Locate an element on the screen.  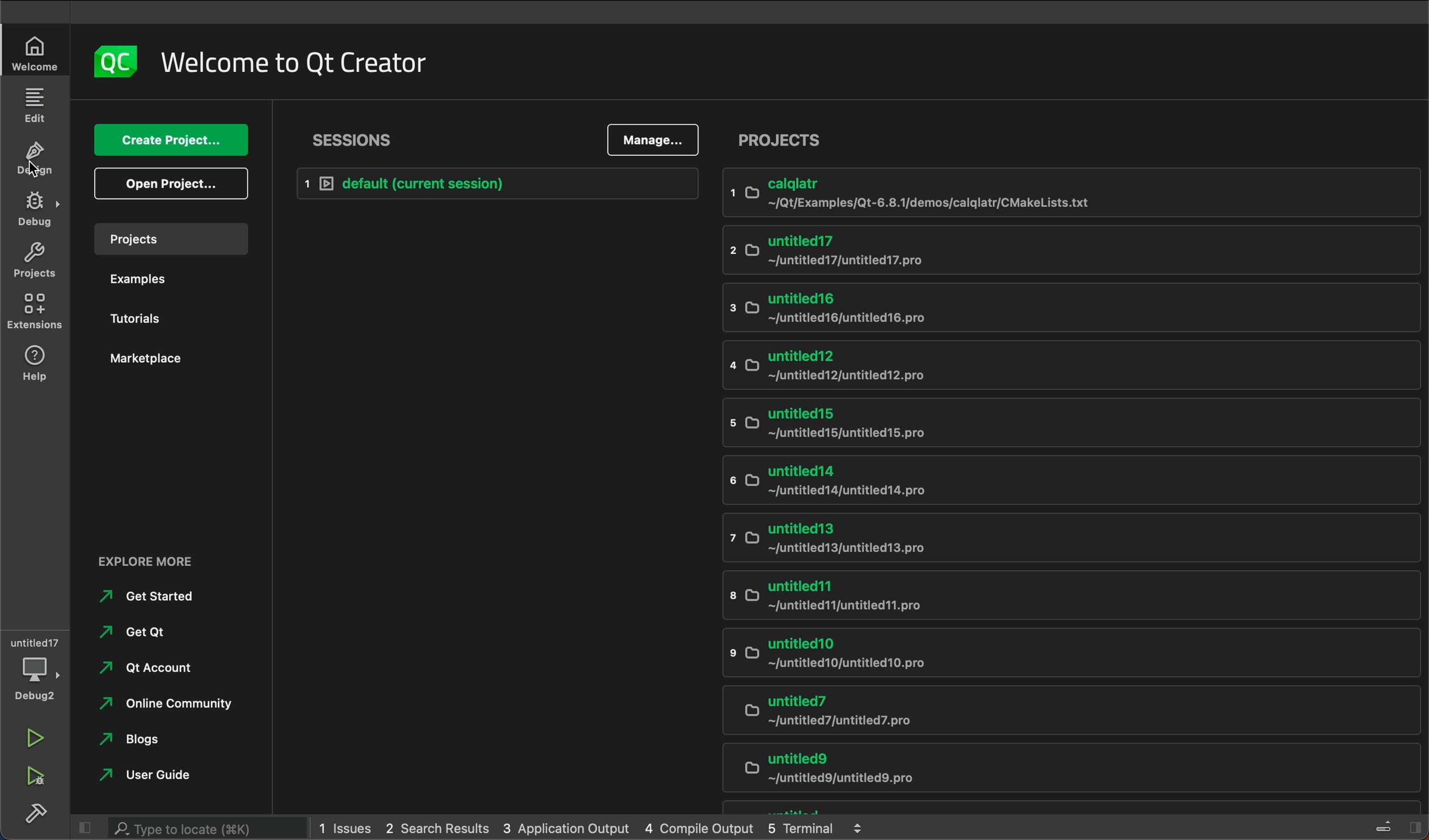
cursor is located at coordinates (38, 167).